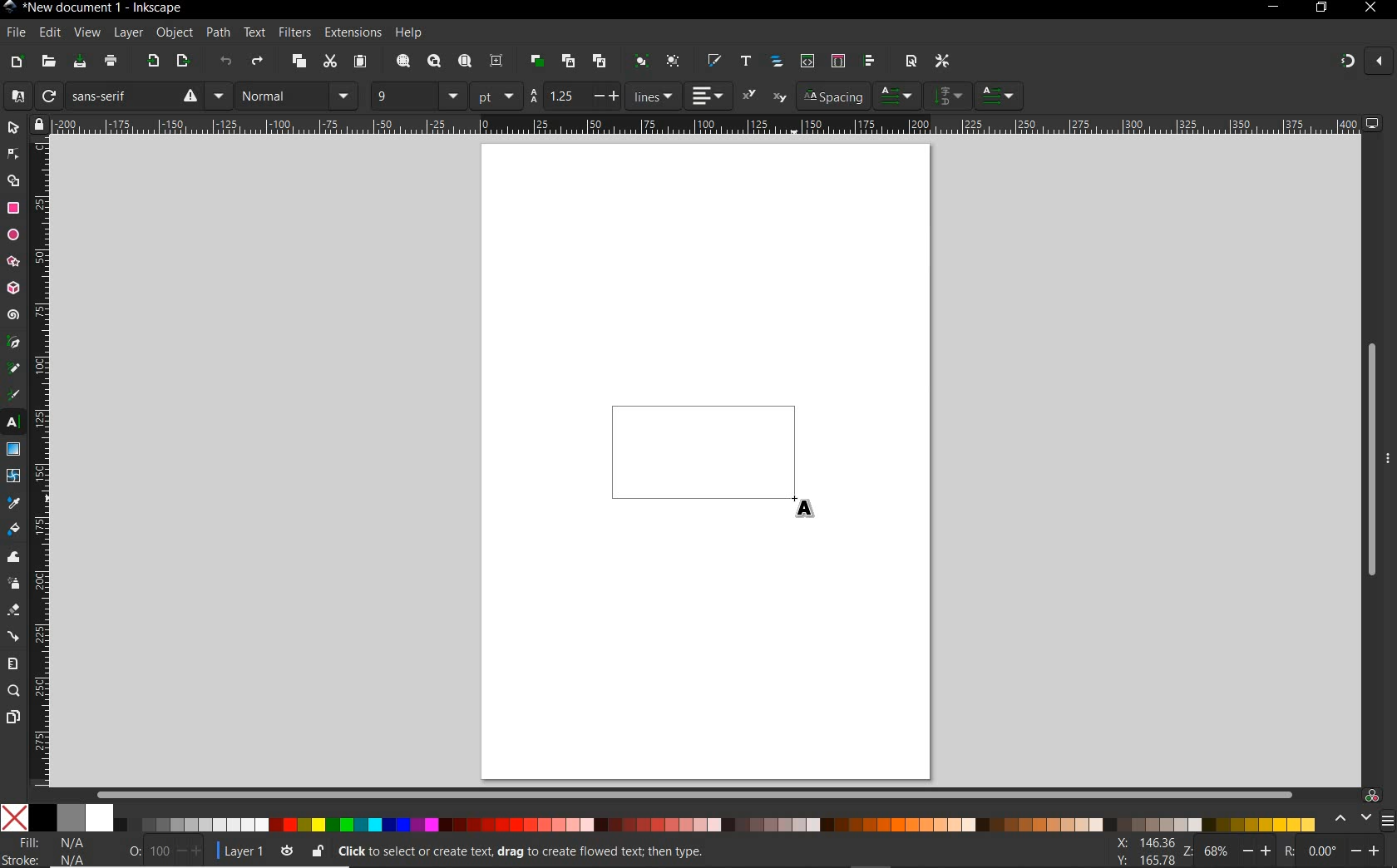  I want to click on snapping tool, so click(1345, 62).